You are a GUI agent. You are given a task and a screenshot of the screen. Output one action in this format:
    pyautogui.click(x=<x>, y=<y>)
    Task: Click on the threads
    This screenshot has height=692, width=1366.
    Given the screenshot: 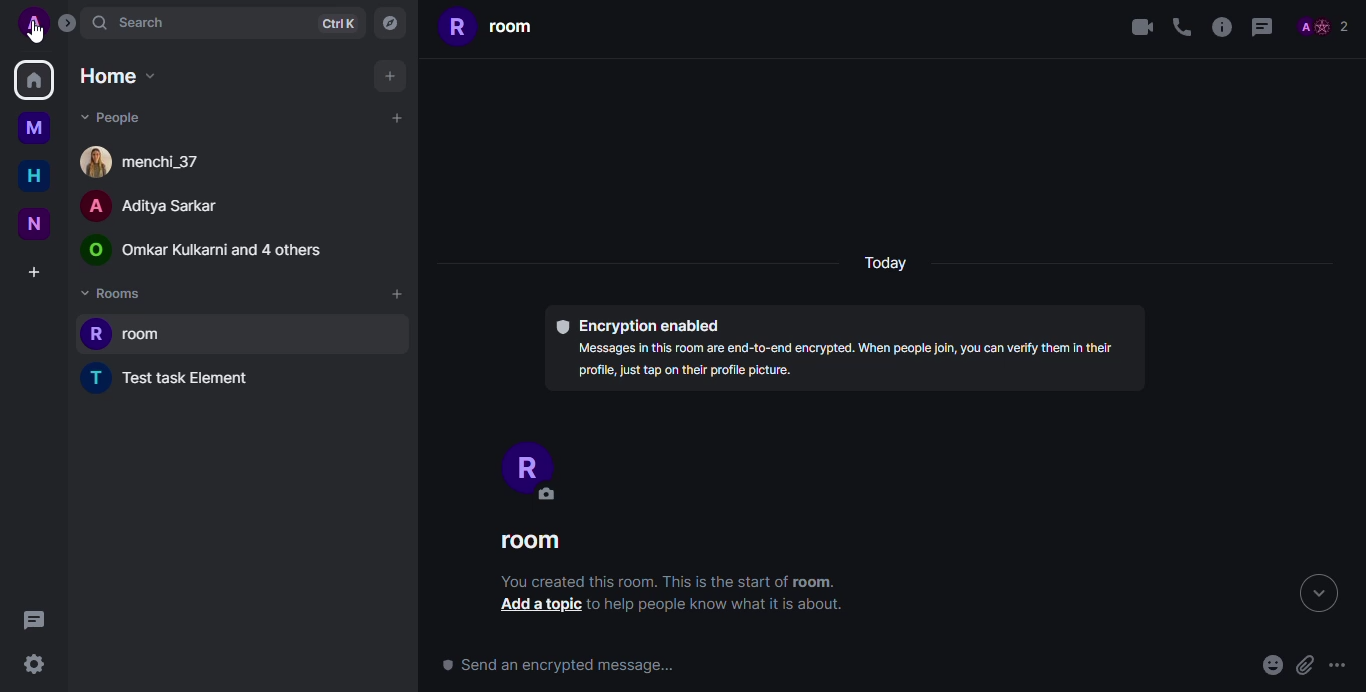 What is the action you would take?
    pyautogui.click(x=1262, y=27)
    